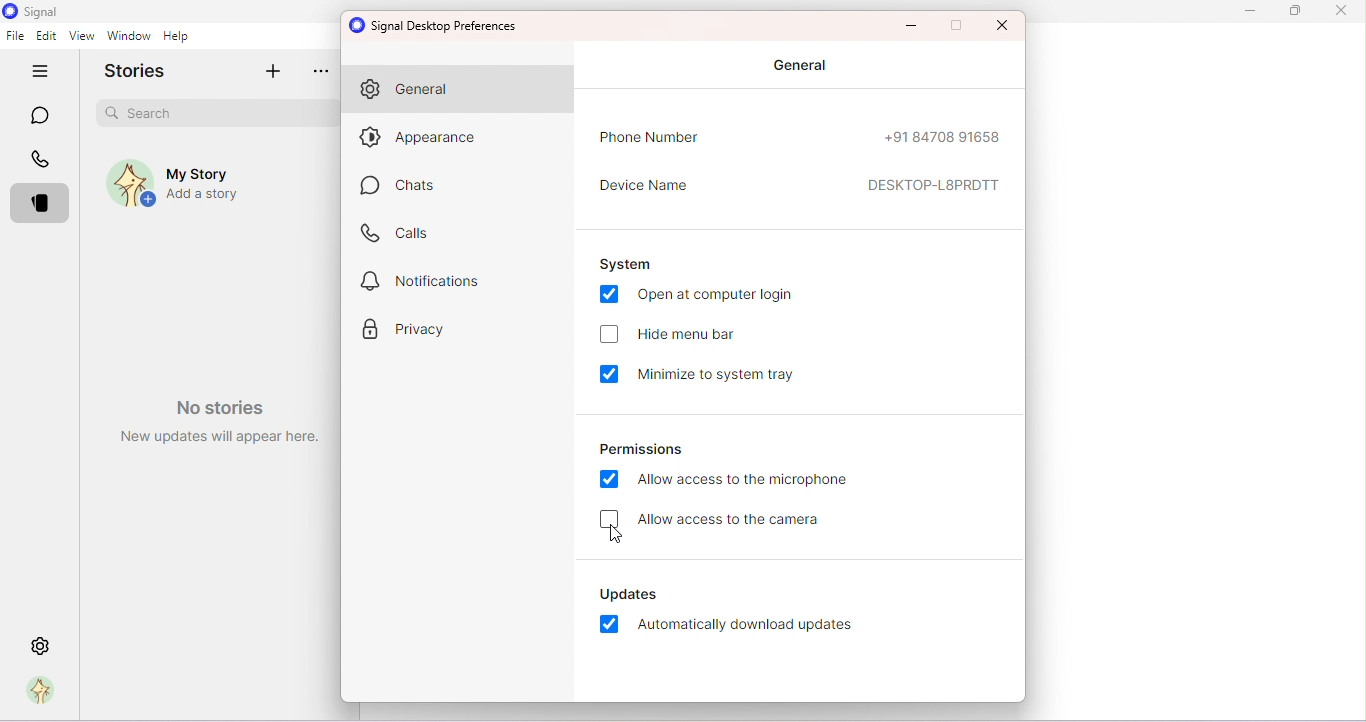  What do you see at coordinates (129, 37) in the screenshot?
I see `Window` at bounding box center [129, 37].